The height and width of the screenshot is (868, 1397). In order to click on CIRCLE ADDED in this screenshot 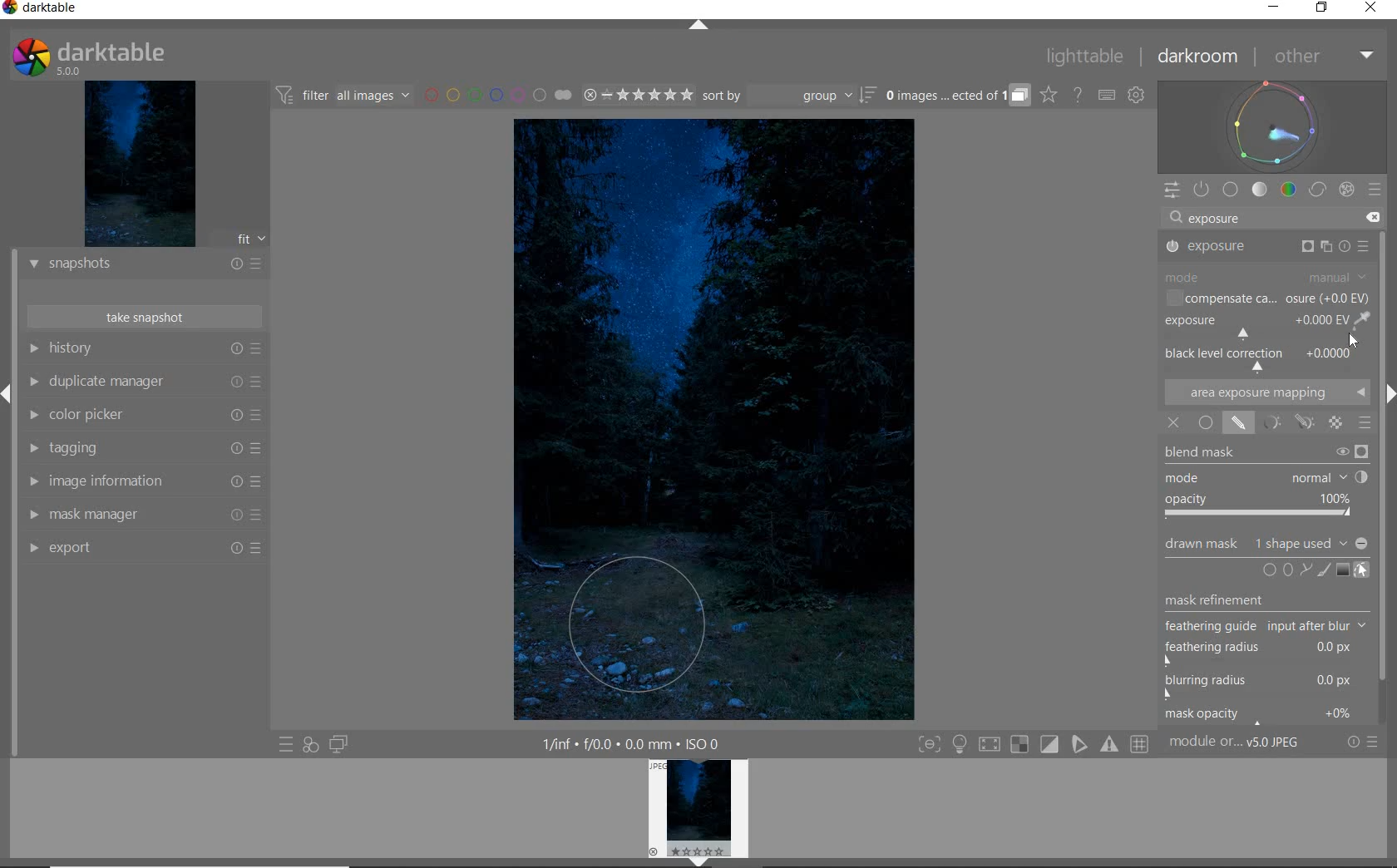, I will do `click(634, 629)`.